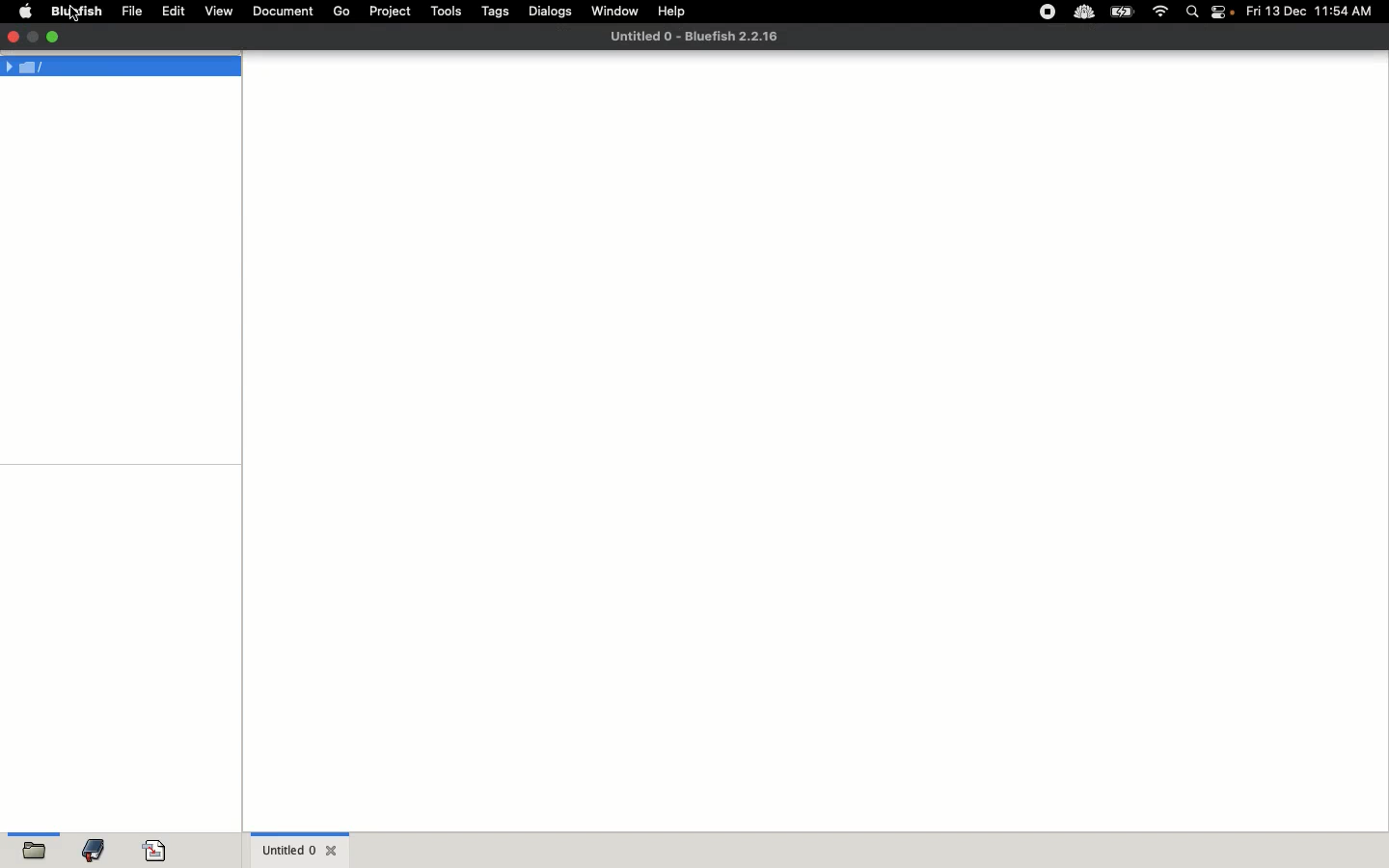 This screenshot has height=868, width=1389. Describe the element at coordinates (11, 36) in the screenshot. I see `Close` at that location.